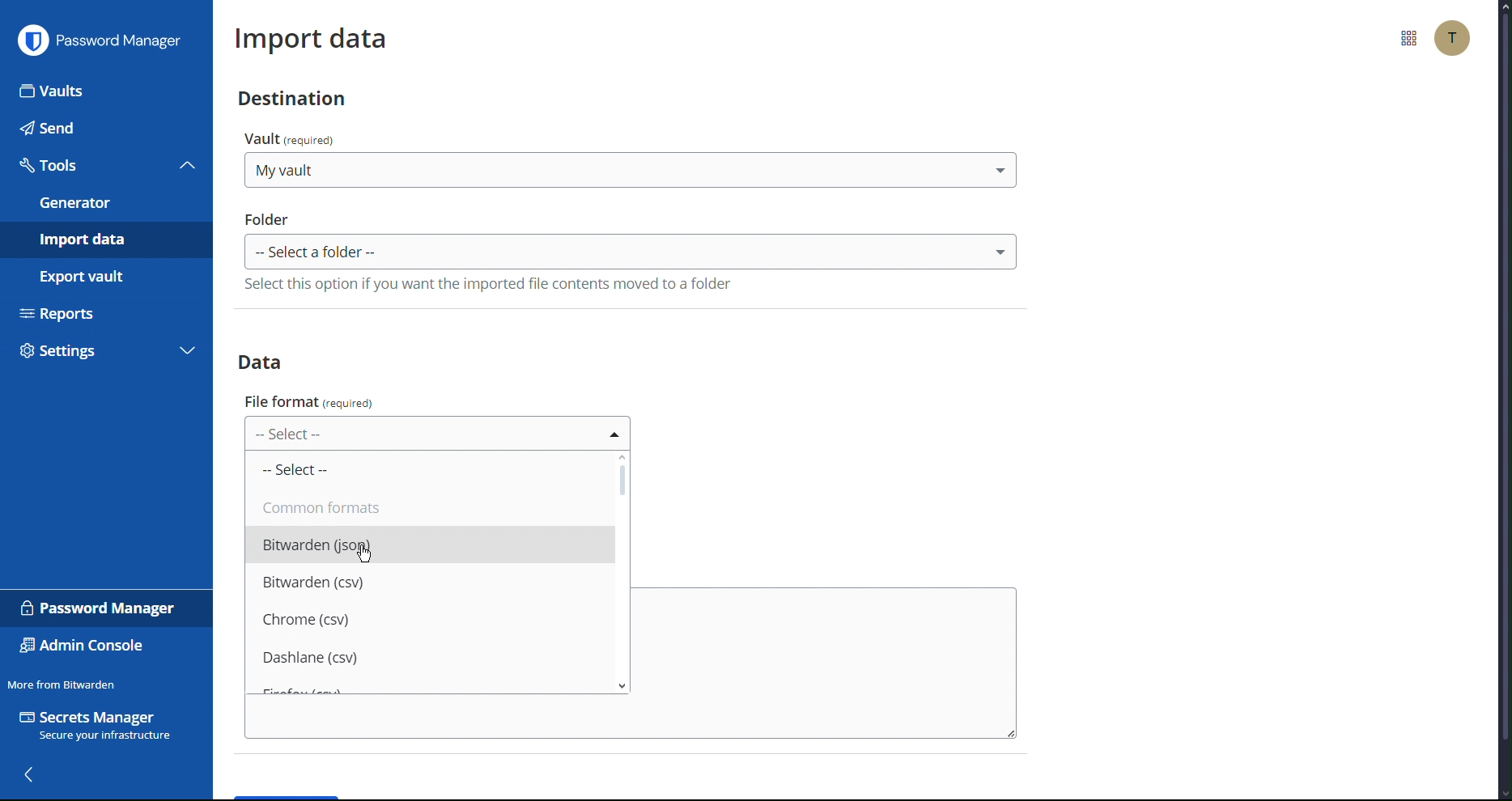 This screenshot has height=801, width=1512. Describe the element at coordinates (62, 684) in the screenshot. I see `Move from Bitwarden` at that location.